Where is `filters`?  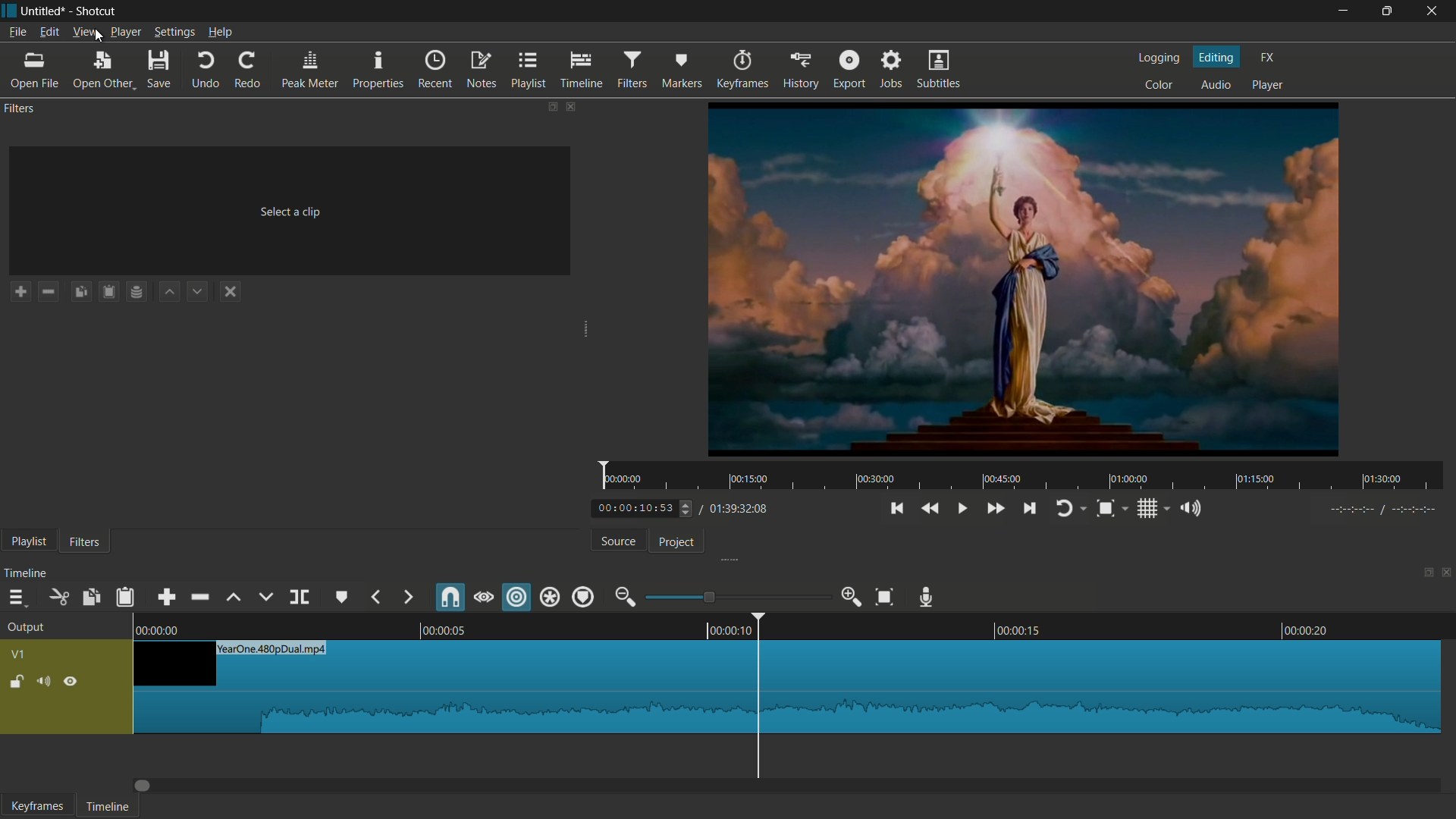 filters is located at coordinates (83, 541).